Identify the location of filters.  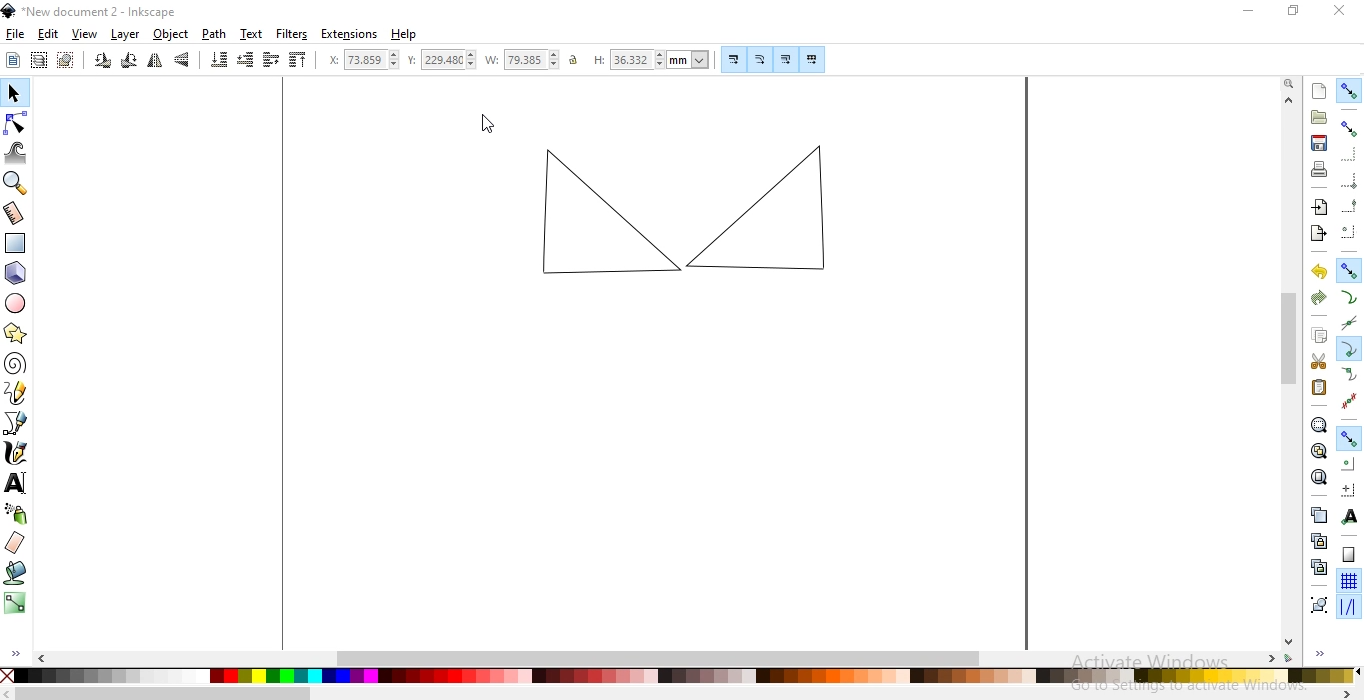
(292, 34).